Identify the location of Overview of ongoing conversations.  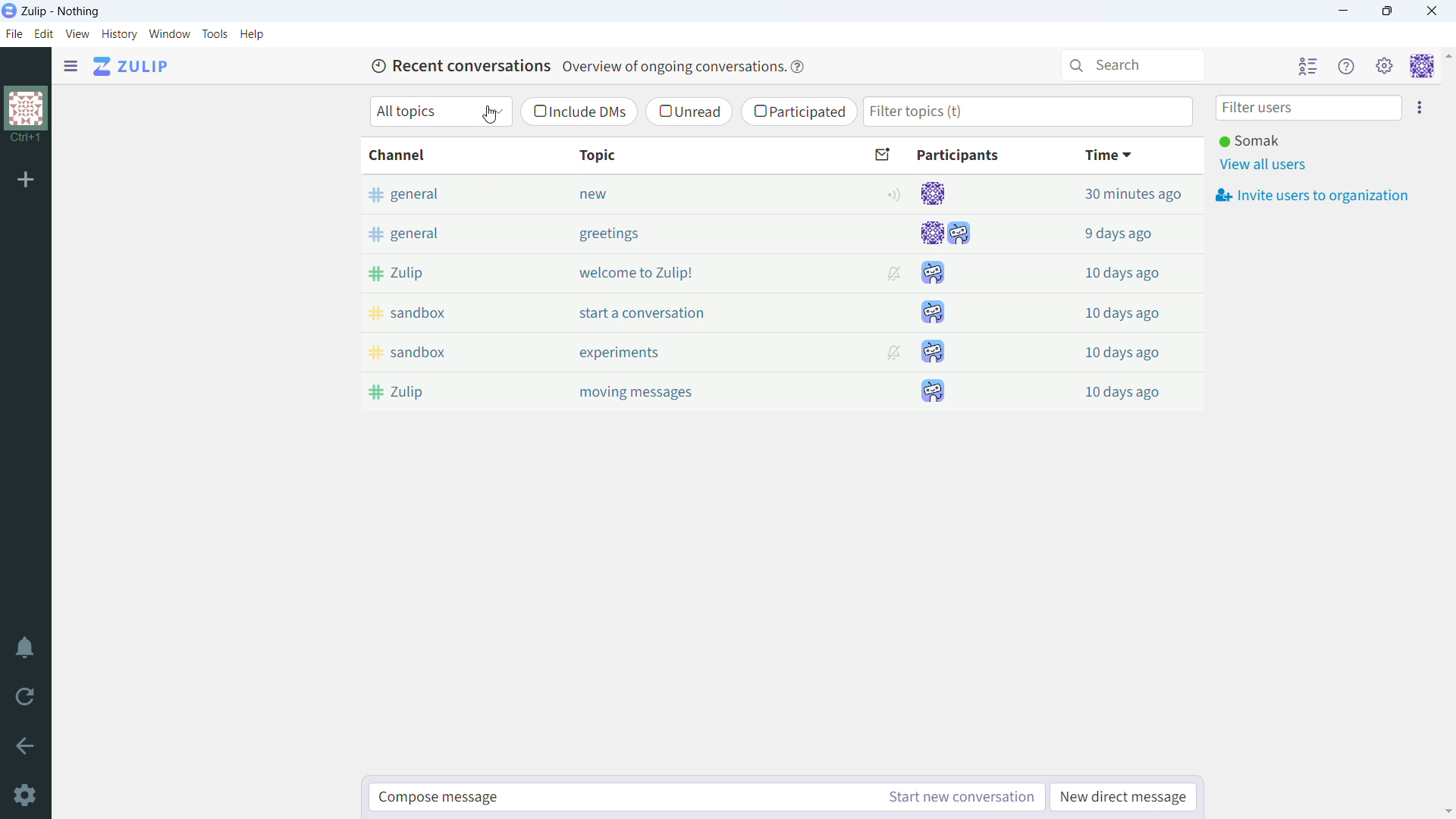
(672, 66).